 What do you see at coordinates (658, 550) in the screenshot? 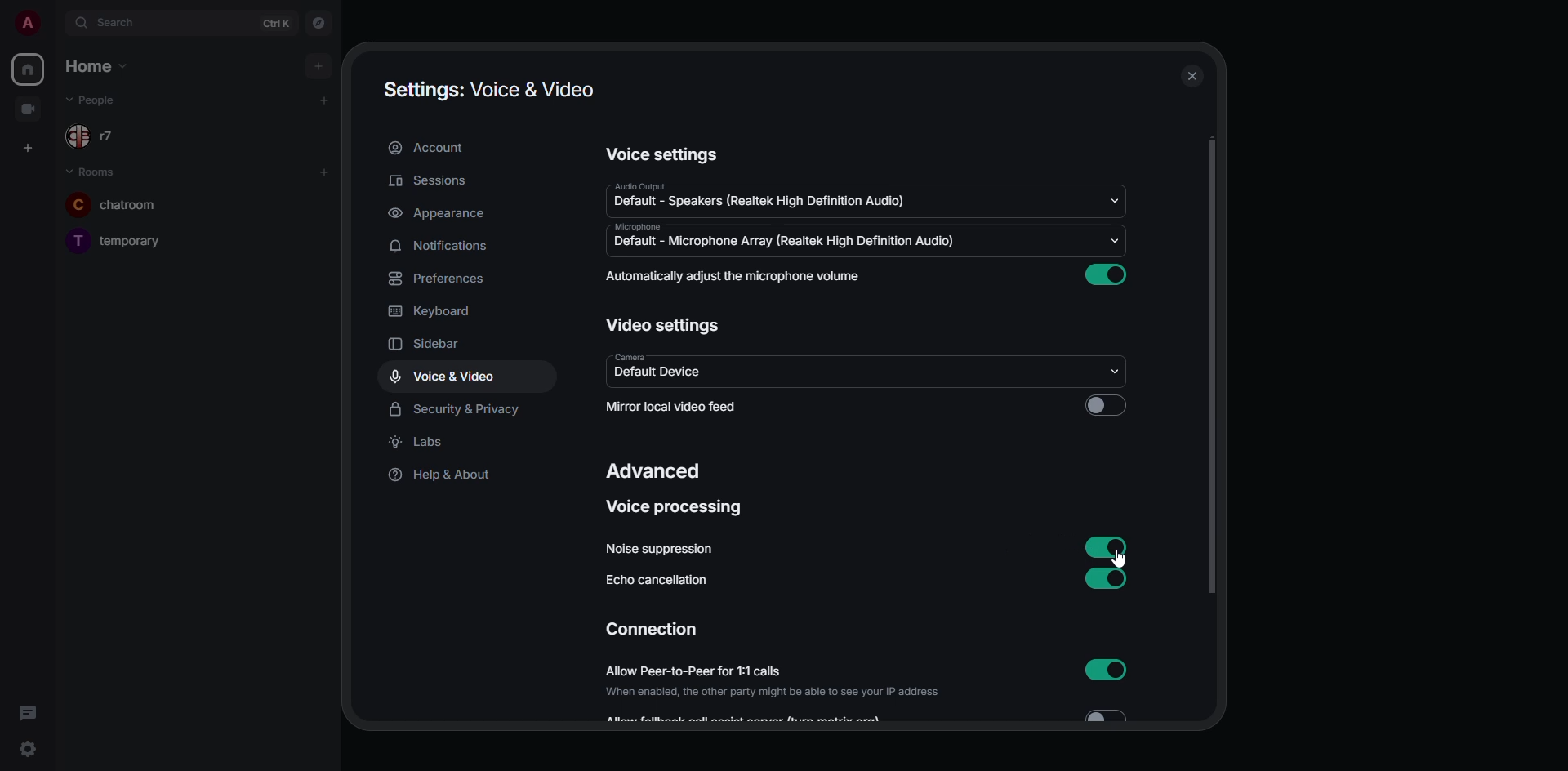
I see `noise suppression` at bounding box center [658, 550].